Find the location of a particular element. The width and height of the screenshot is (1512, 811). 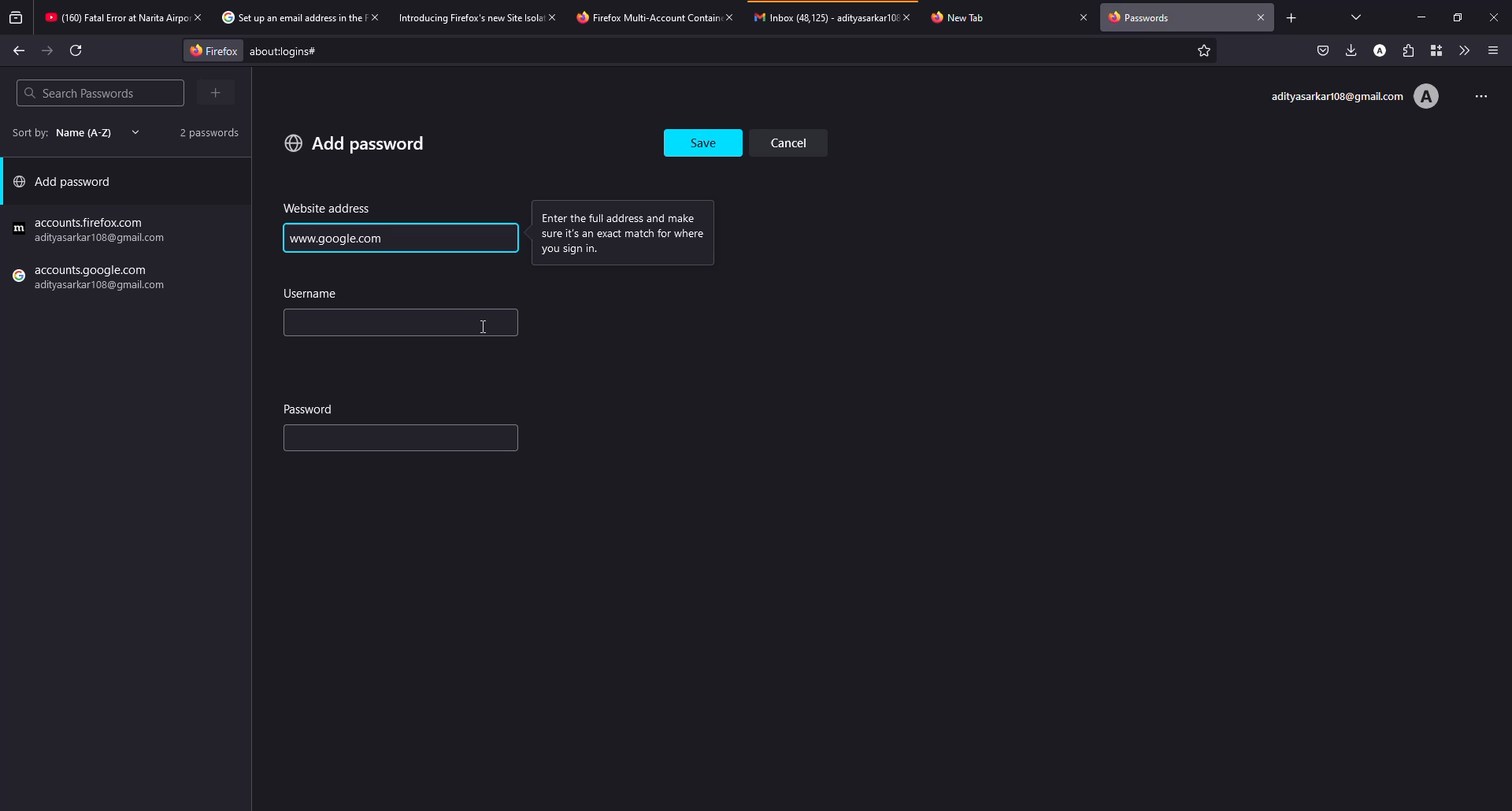

account is located at coordinates (1354, 97).